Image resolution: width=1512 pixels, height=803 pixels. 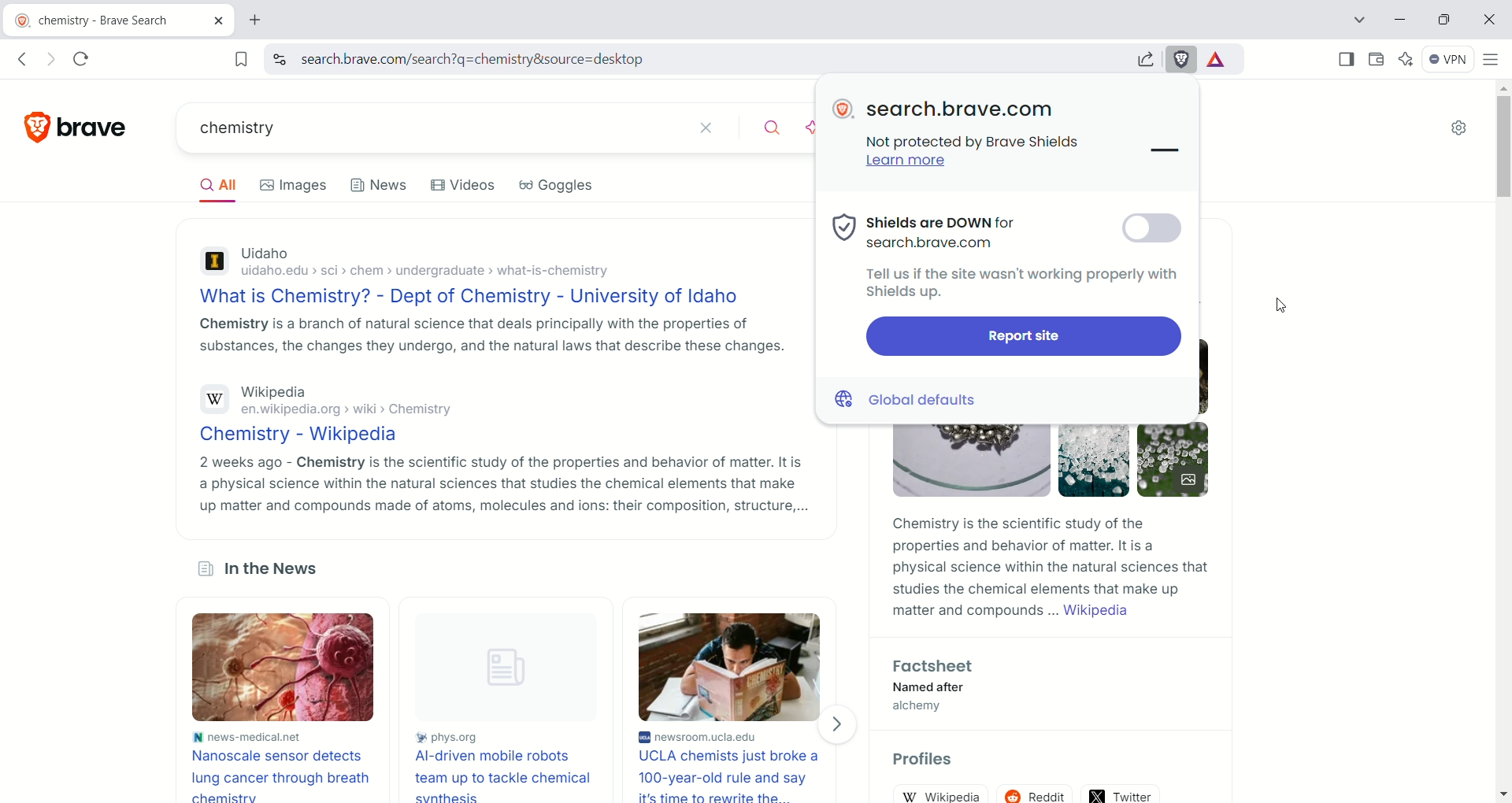 I want to click on Chemistry is the scientific study of the properties and behavior of matter. It is a physical science within the natural sciences that studies the chemical elements that make up matter and compounds … Wikipedia, so click(x=1050, y=568).